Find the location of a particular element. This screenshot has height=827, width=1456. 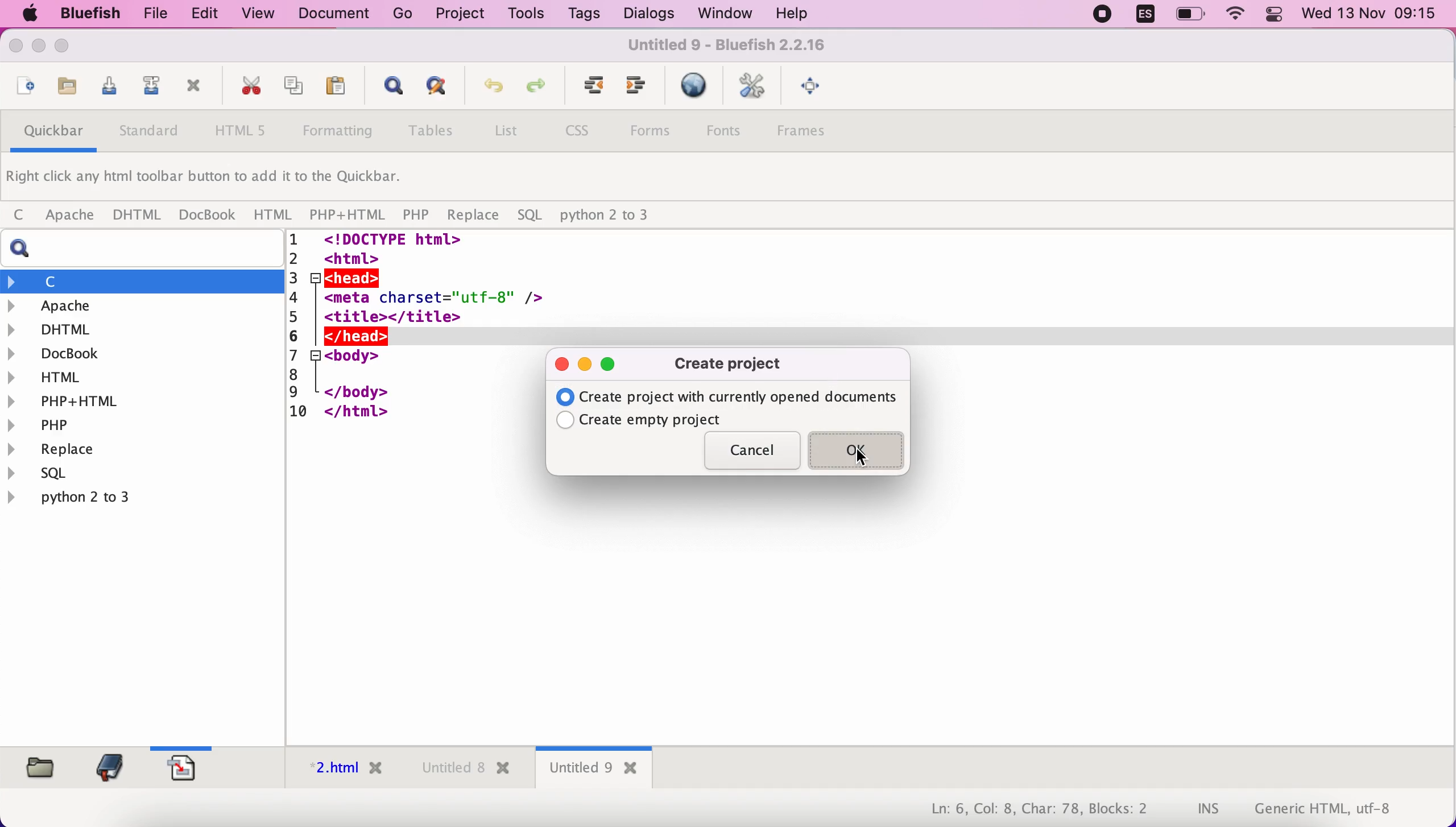

create empty project is located at coordinates (648, 420).